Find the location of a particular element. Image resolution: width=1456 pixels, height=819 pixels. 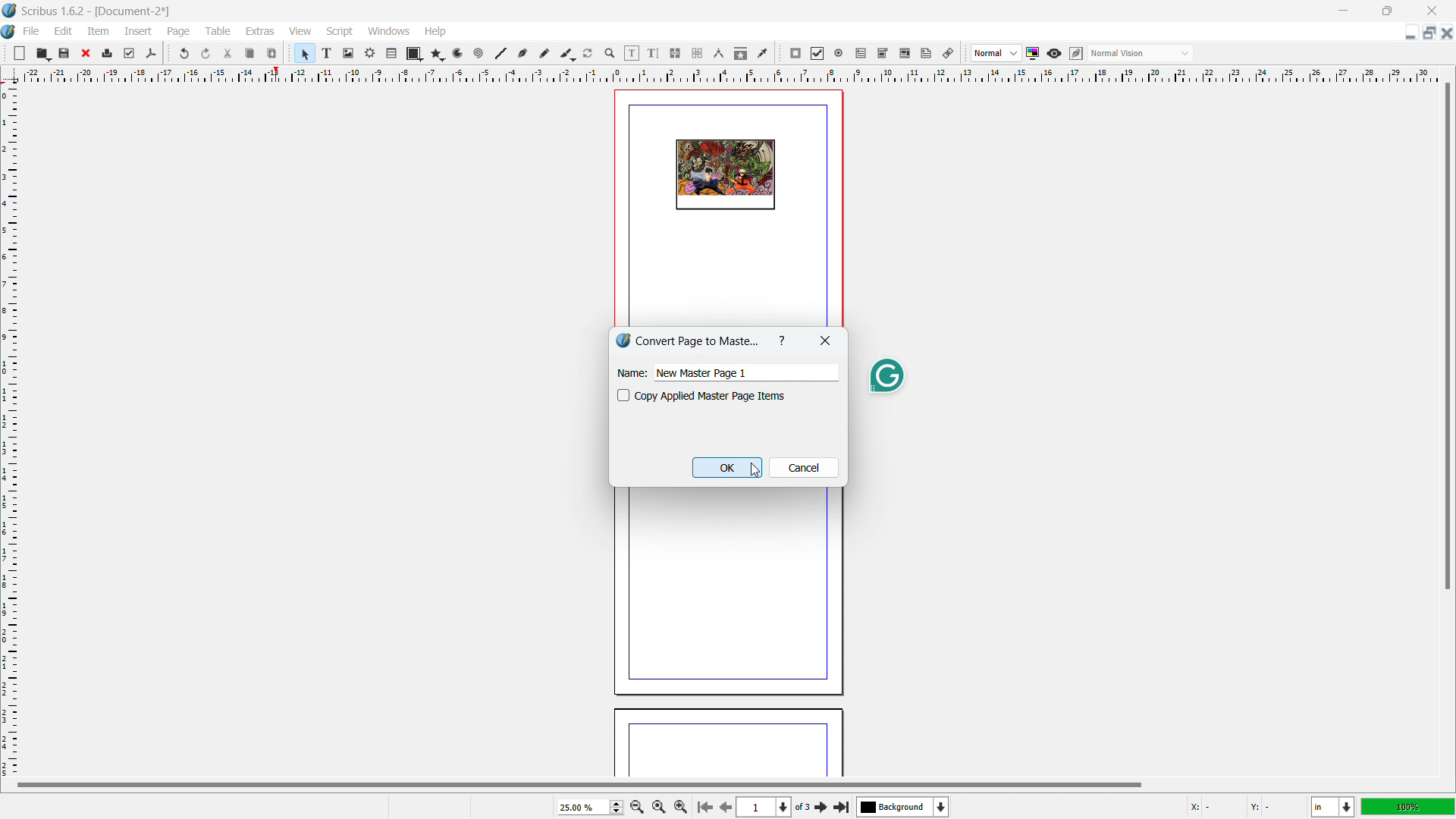

zoom in by the stepping value in tool preference is located at coordinates (681, 805).